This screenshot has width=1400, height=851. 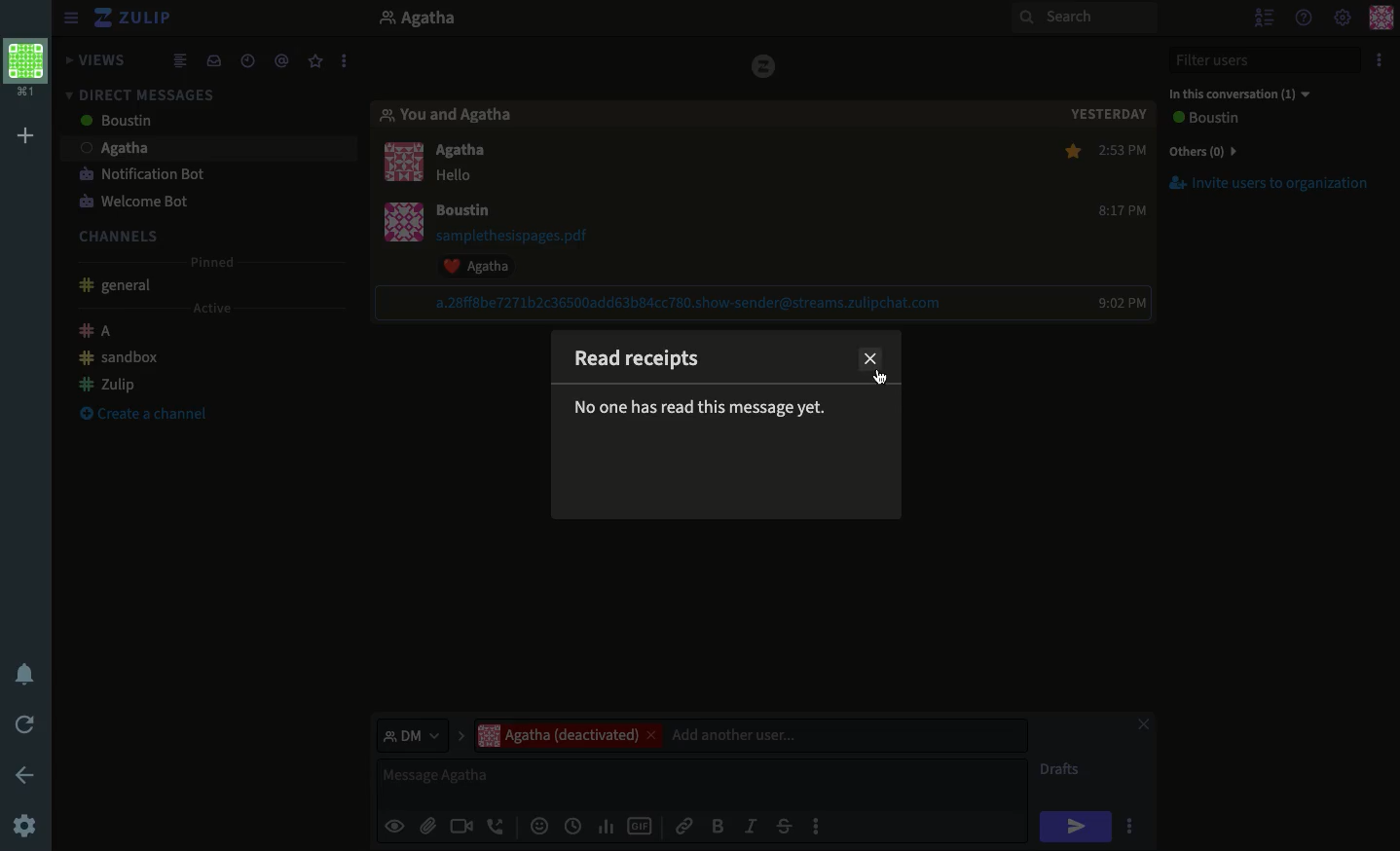 I want to click on invite users, so click(x=1274, y=191).